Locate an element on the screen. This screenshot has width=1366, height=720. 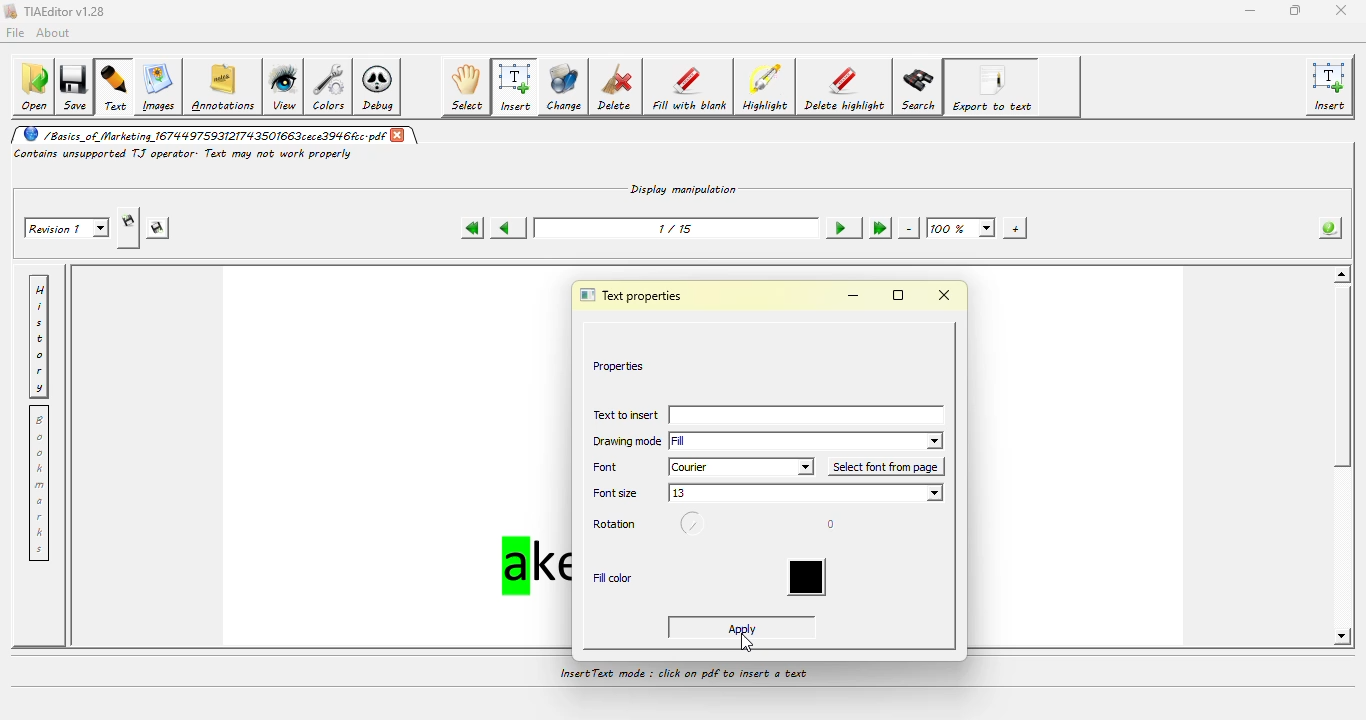
Courier is located at coordinates (741, 467).